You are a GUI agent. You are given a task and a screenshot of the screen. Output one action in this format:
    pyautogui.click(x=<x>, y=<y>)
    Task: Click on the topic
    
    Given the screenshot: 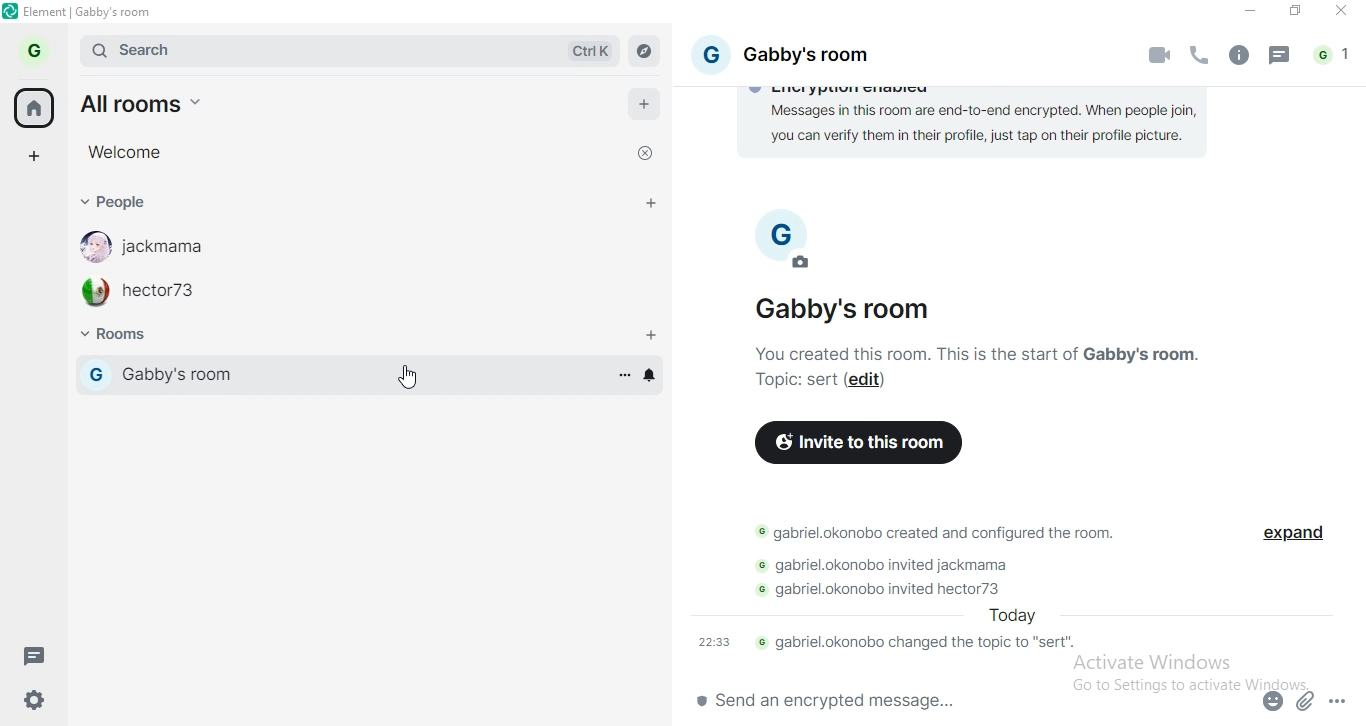 What is the action you would take?
    pyautogui.click(x=794, y=381)
    